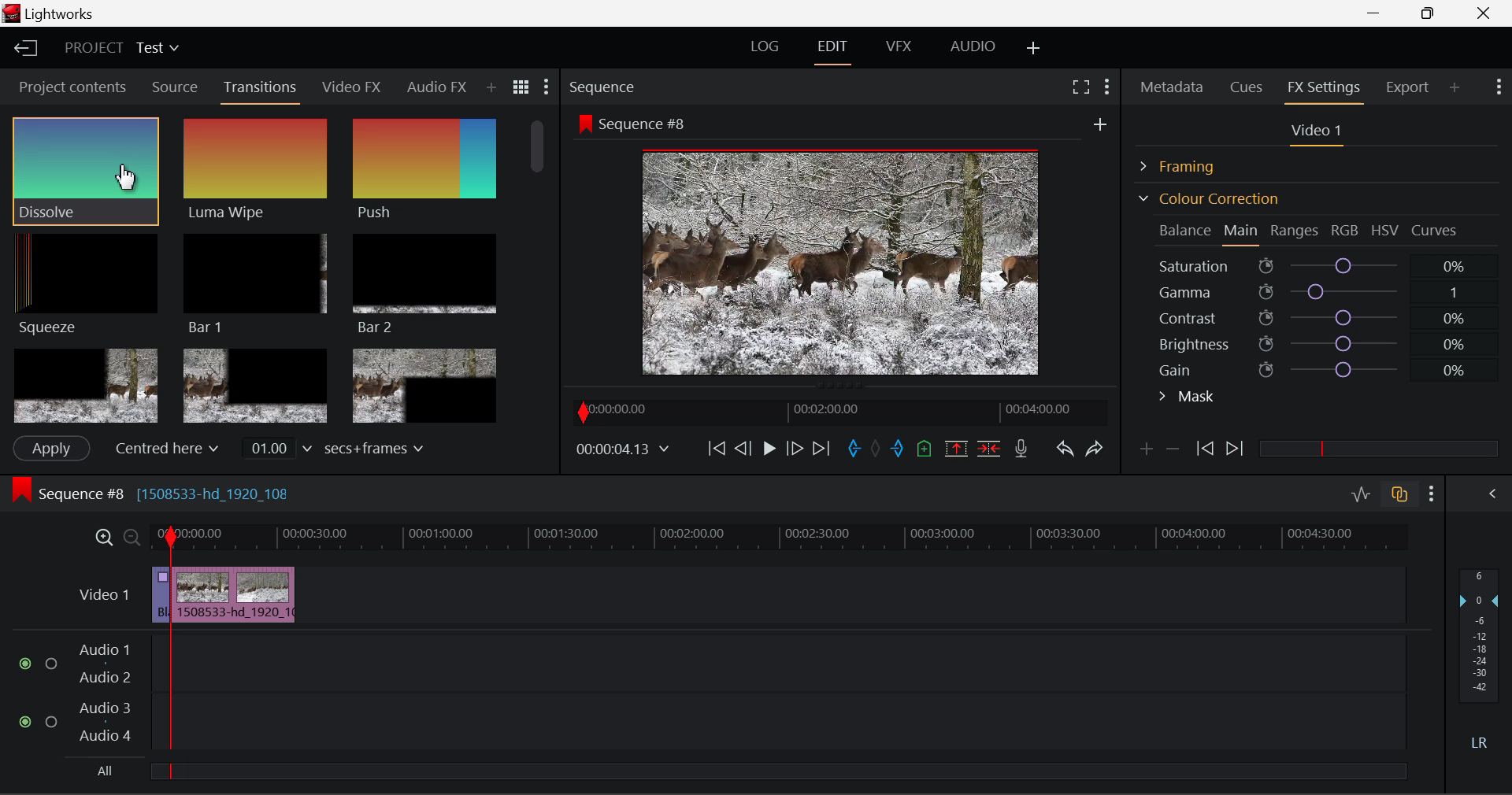 The height and width of the screenshot is (795, 1512). What do you see at coordinates (261, 89) in the screenshot?
I see `Transitions` at bounding box center [261, 89].